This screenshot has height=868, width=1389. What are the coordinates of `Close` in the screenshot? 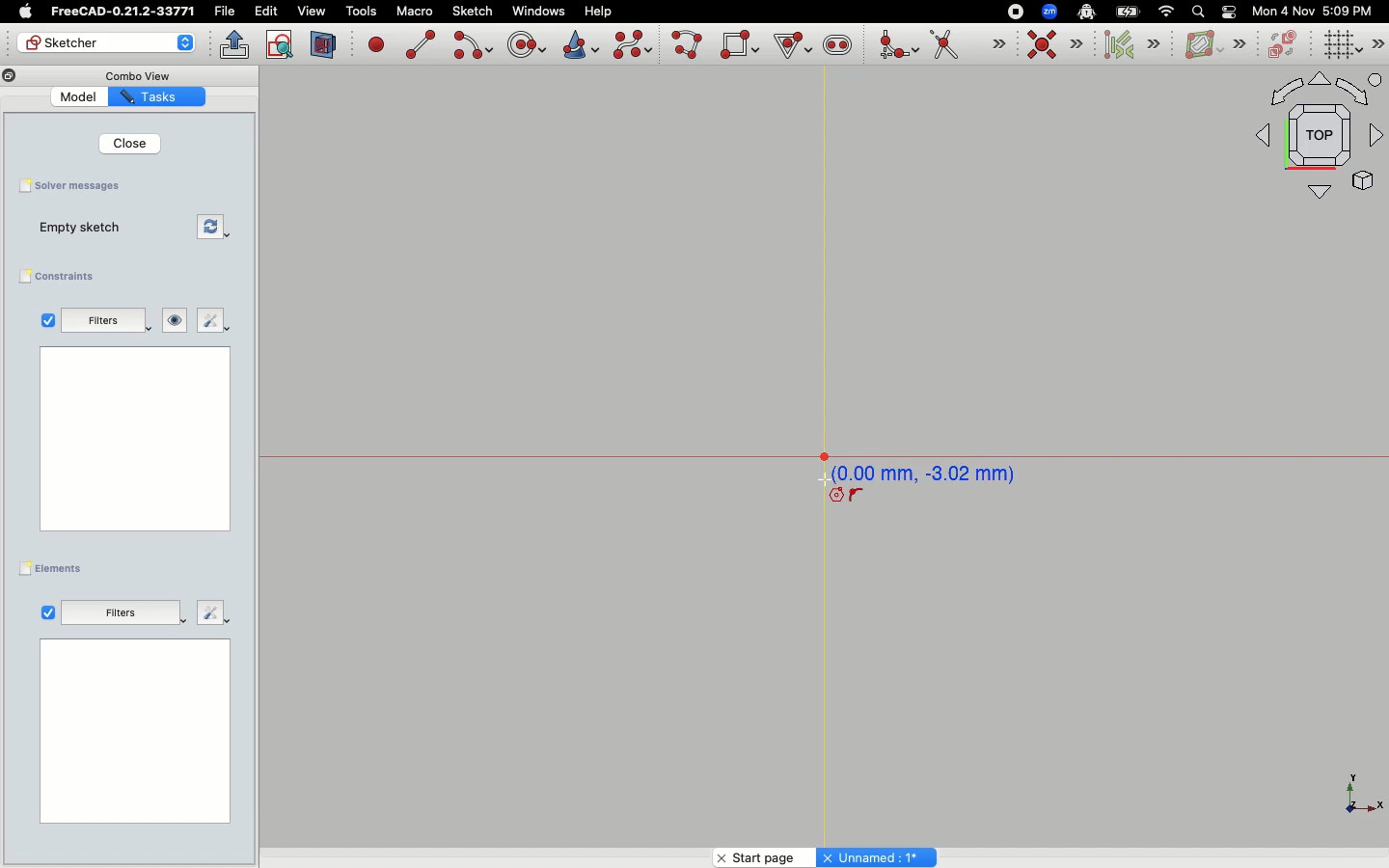 It's located at (132, 143).